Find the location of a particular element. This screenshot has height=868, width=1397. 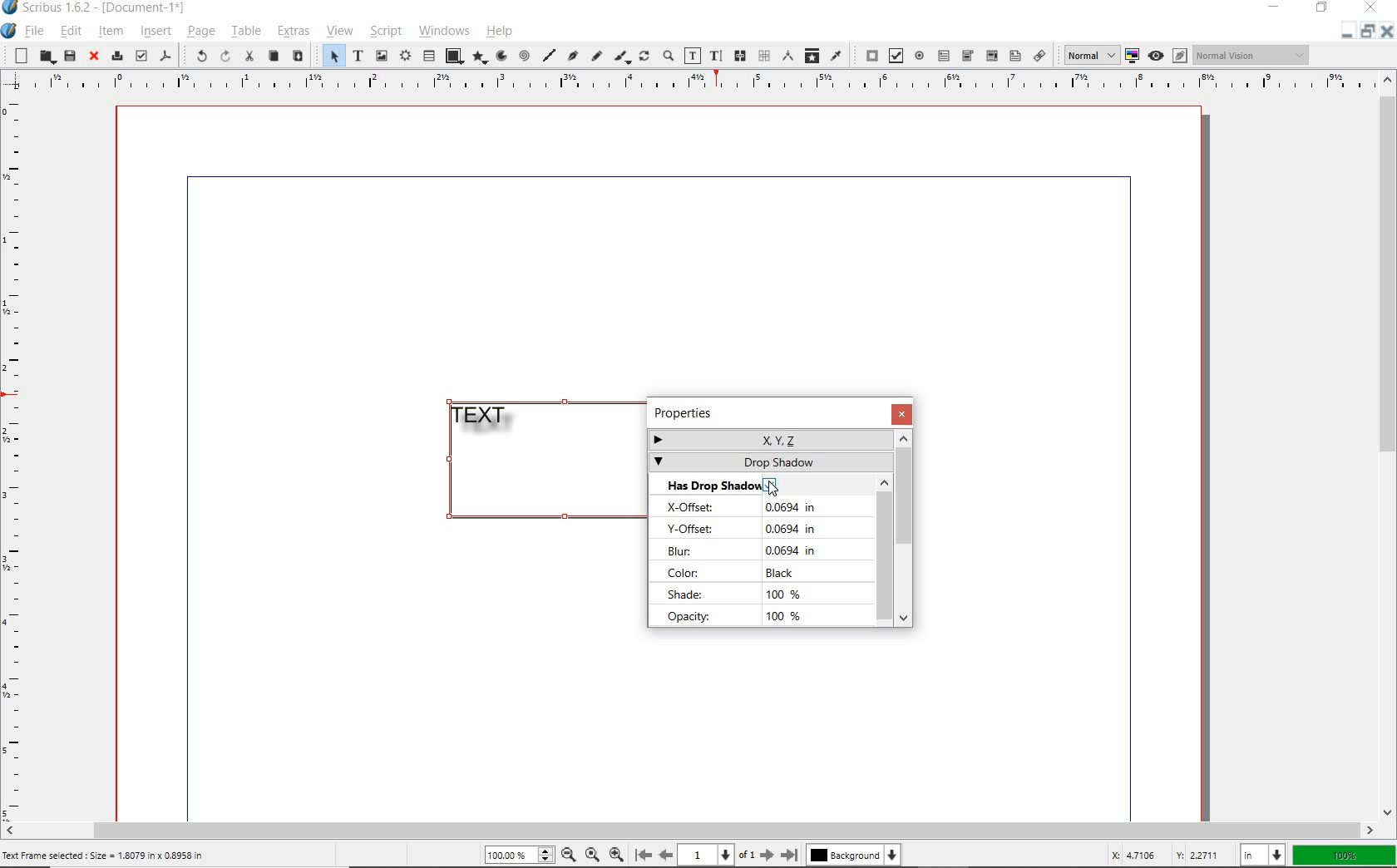

save is located at coordinates (68, 56).